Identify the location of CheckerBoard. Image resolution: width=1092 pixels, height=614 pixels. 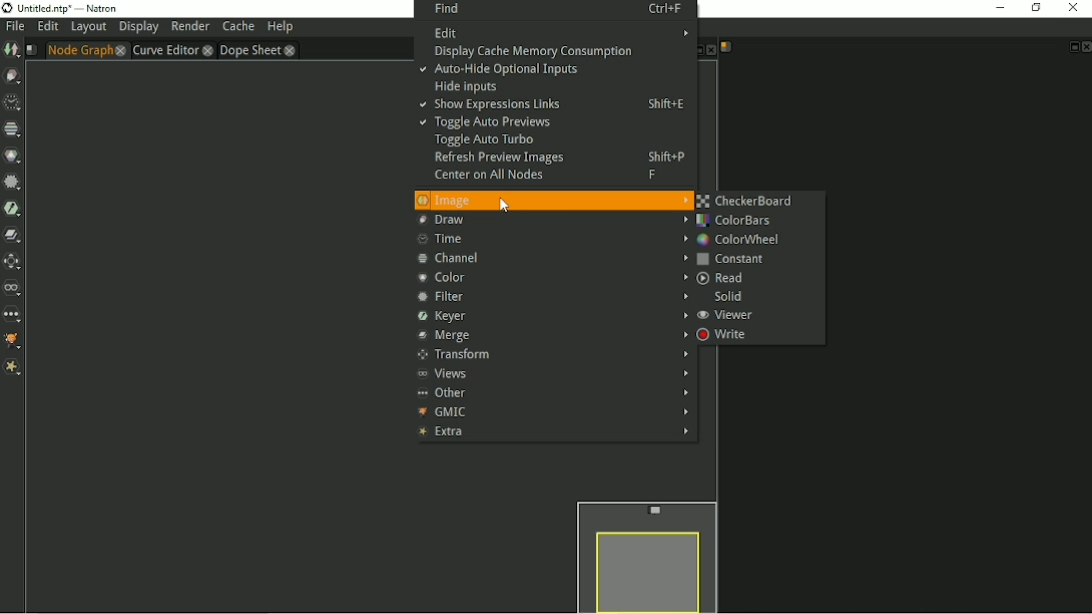
(751, 201).